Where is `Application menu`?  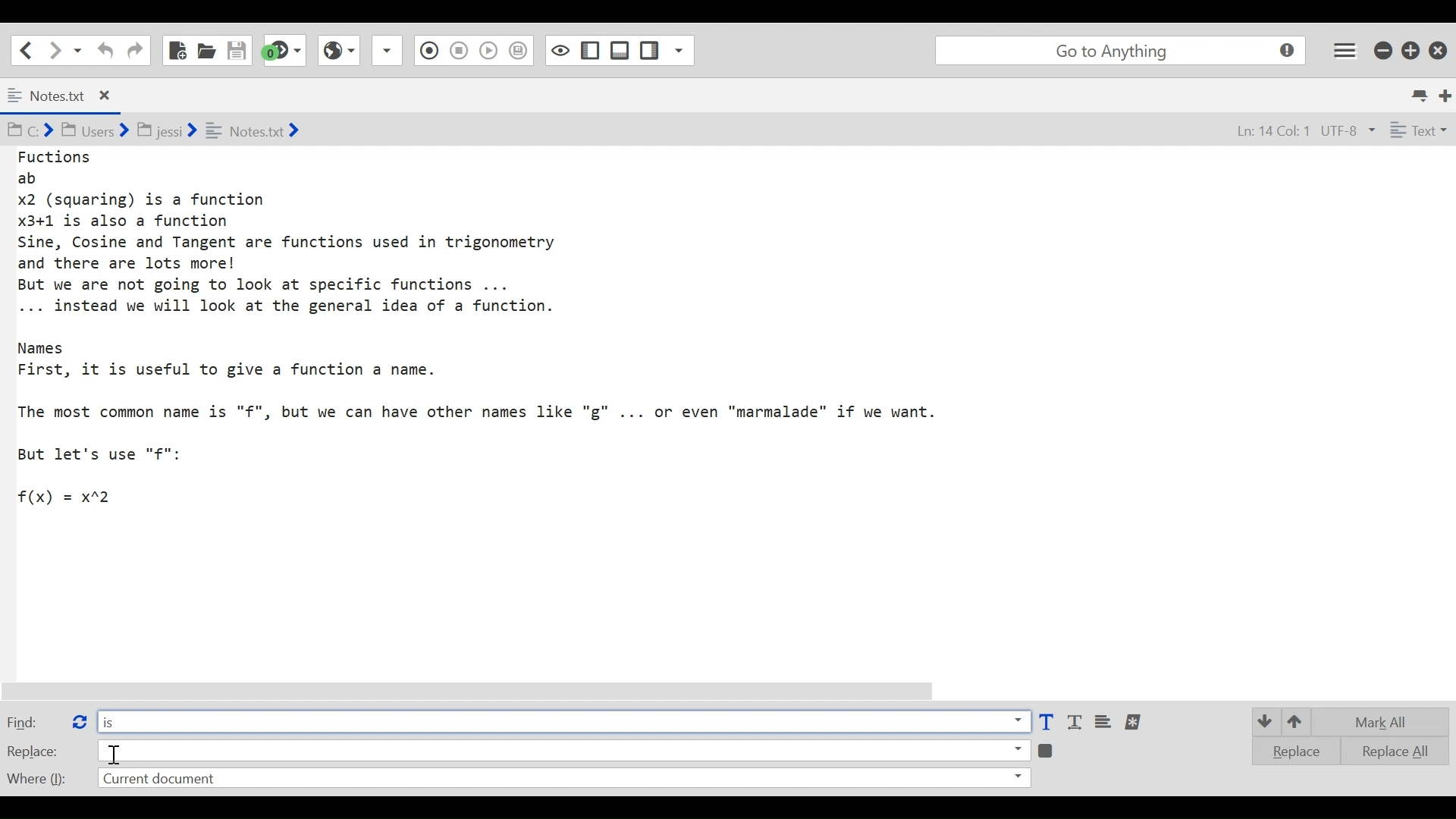 Application menu is located at coordinates (1346, 49).